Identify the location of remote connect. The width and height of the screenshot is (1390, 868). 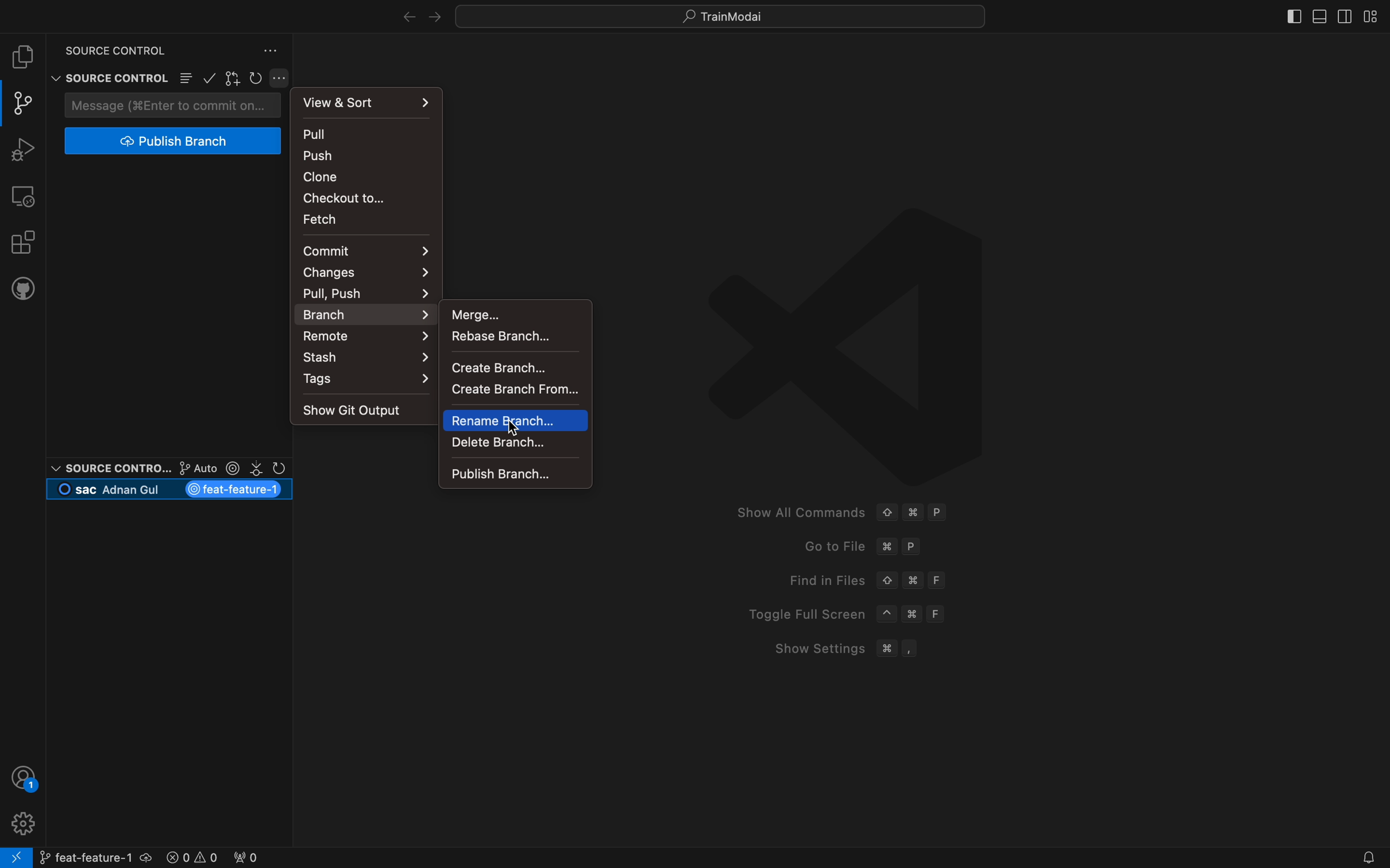
(16, 858).